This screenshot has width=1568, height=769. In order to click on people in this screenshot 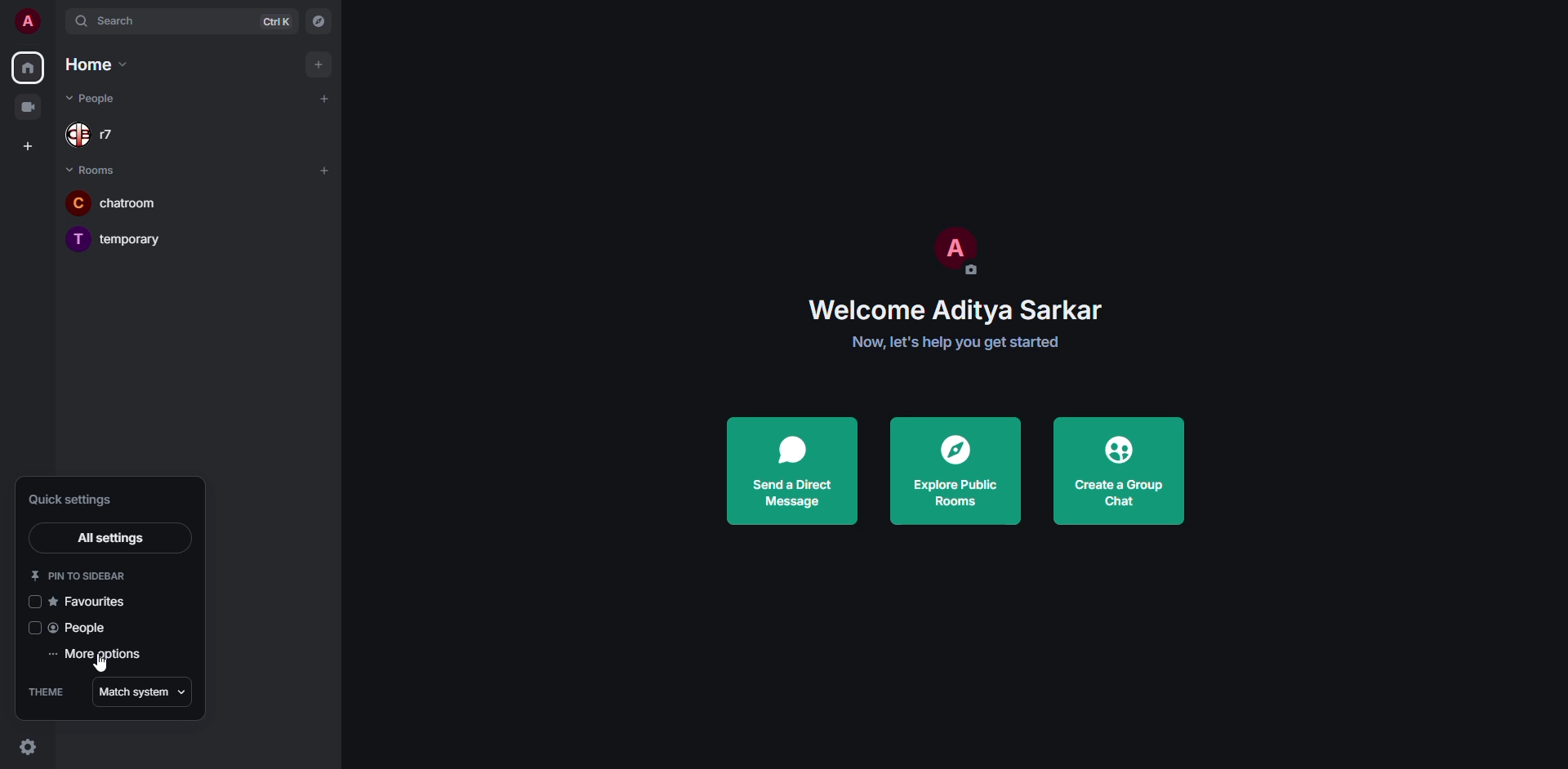, I will do `click(104, 98)`.